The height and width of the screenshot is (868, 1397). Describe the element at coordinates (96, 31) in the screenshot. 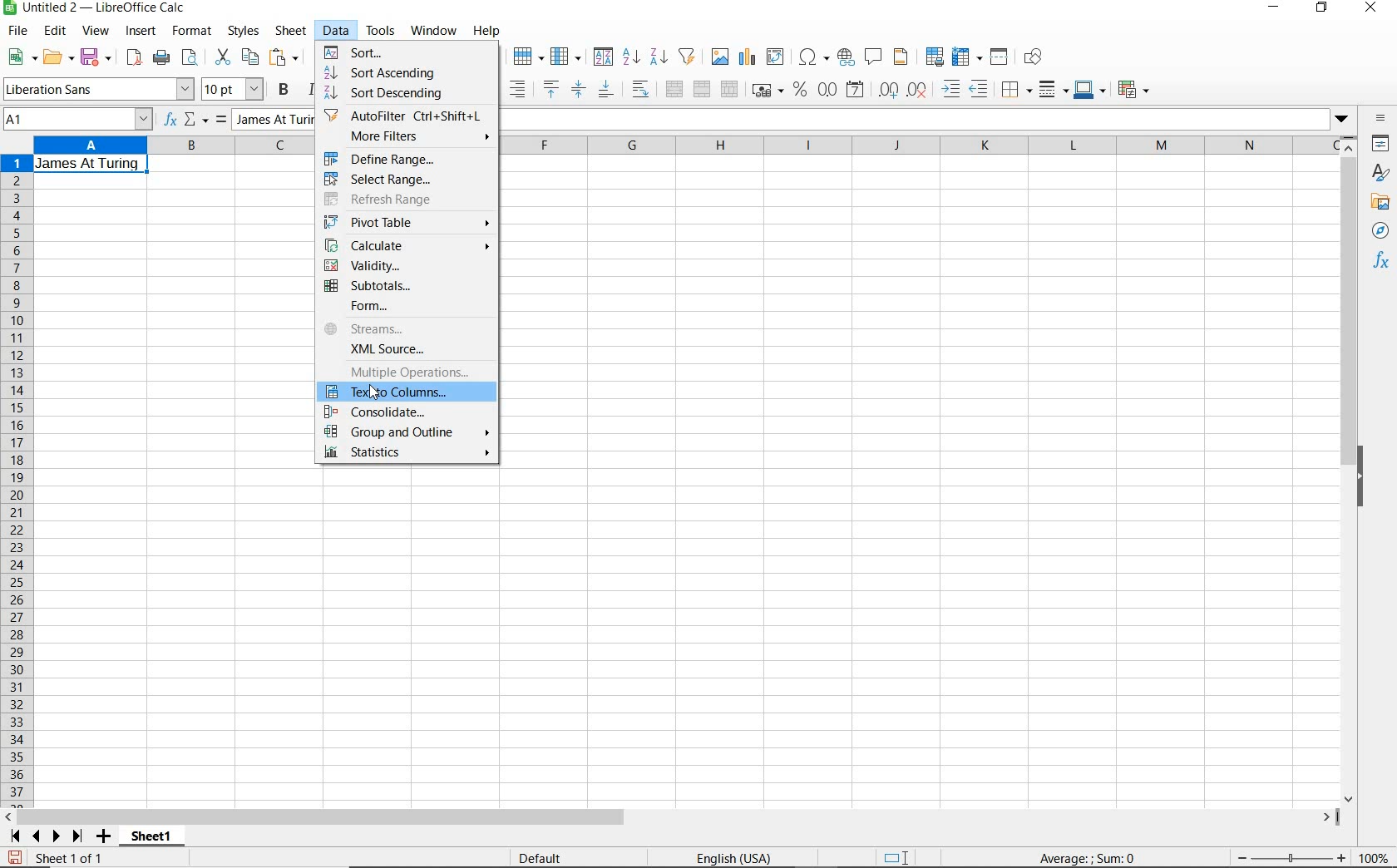

I see `view` at that location.